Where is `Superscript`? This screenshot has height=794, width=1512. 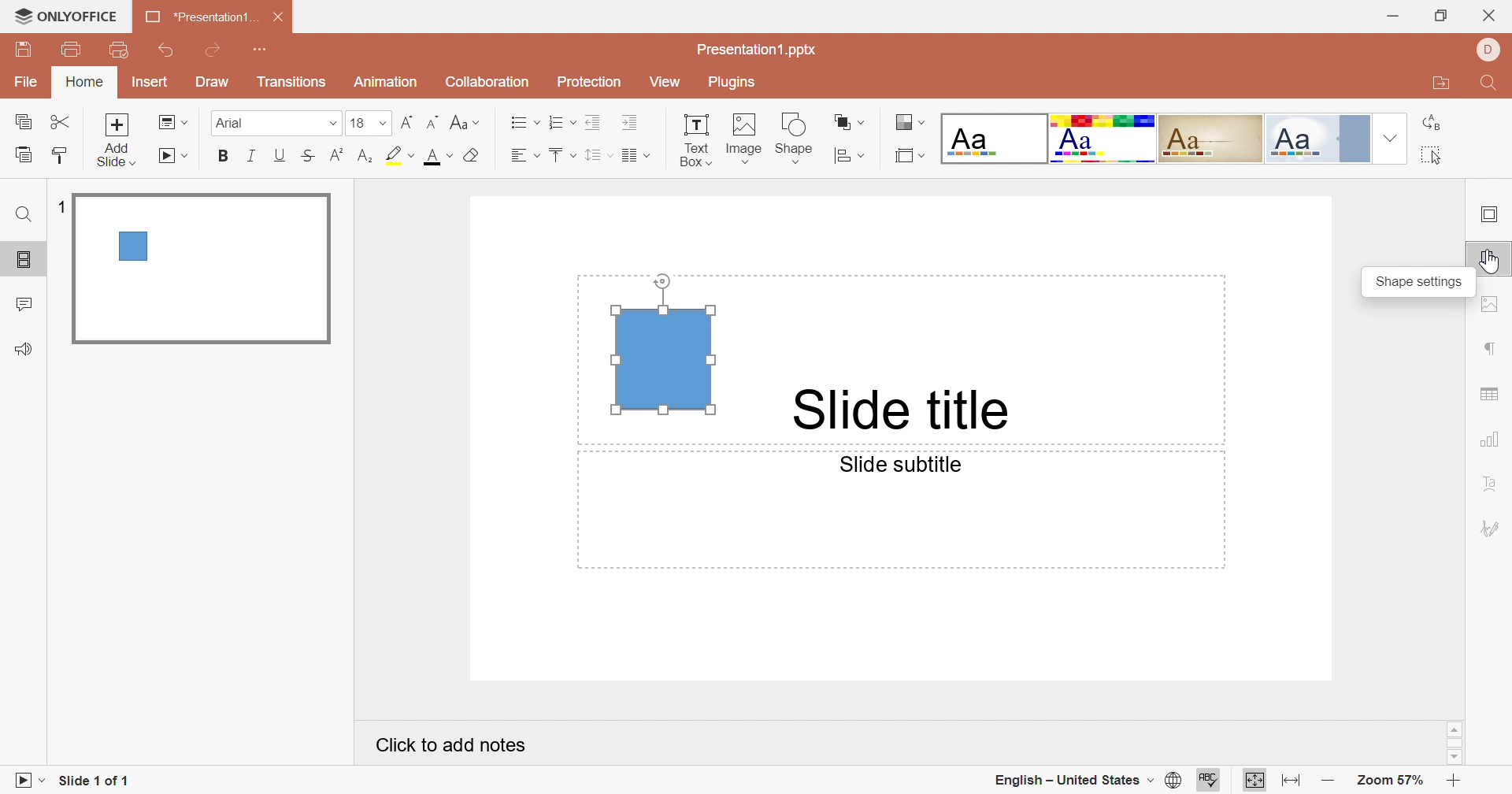 Superscript is located at coordinates (337, 155).